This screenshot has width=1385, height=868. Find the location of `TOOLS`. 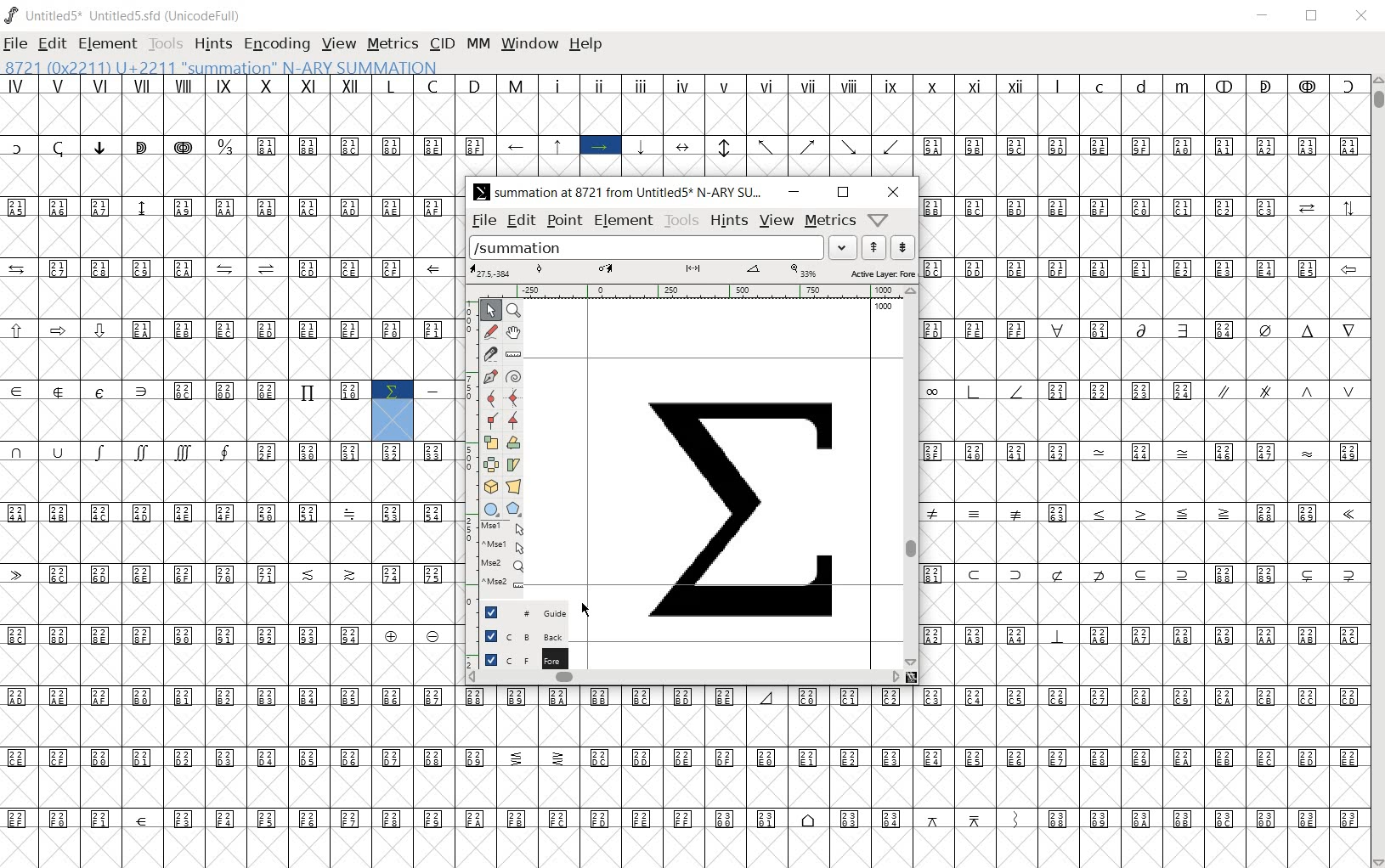

TOOLS is located at coordinates (164, 42).